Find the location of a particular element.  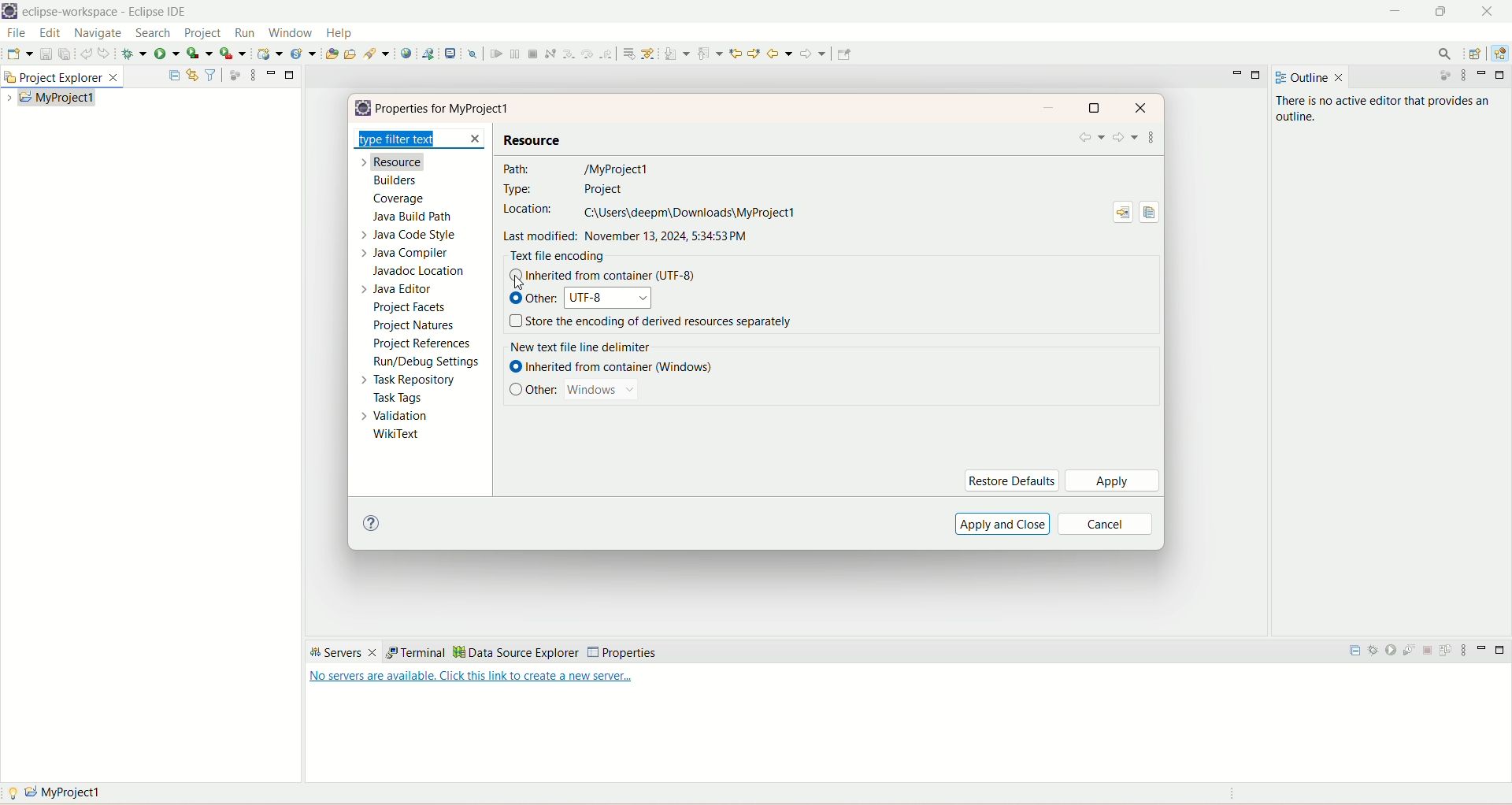

new text file delimiter is located at coordinates (583, 348).